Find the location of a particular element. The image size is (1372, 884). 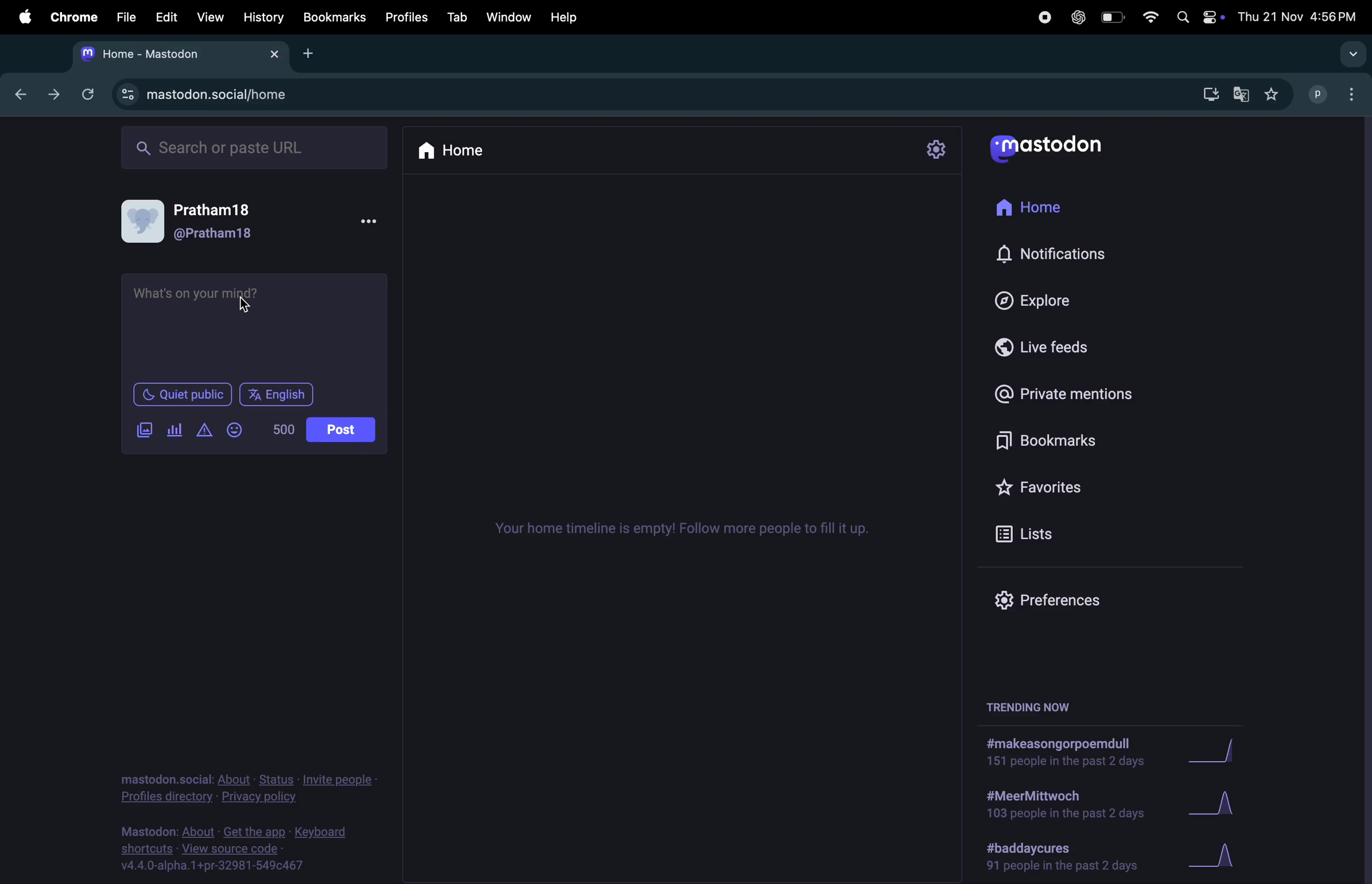

chrome is located at coordinates (70, 17).